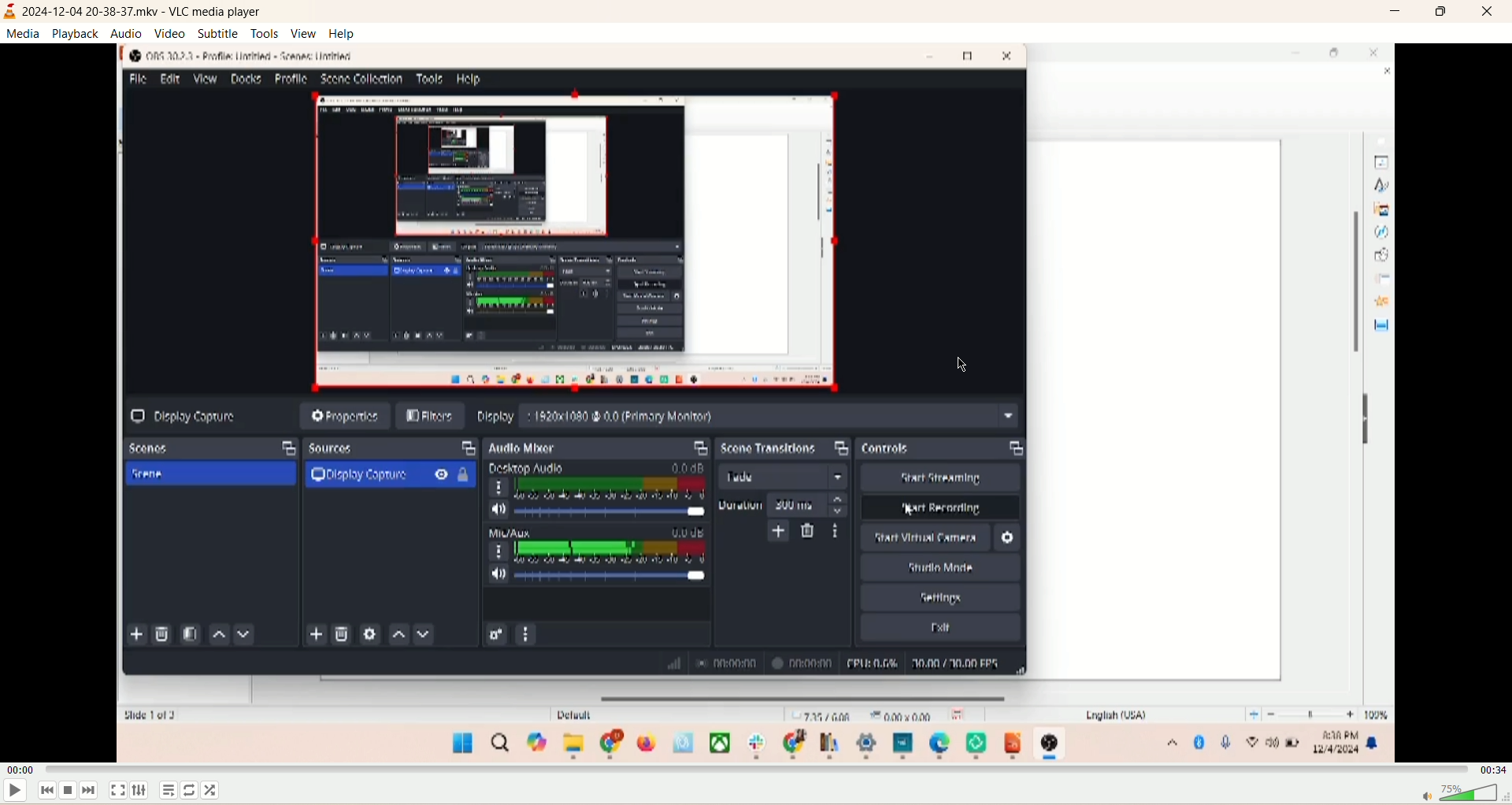  I want to click on loop, so click(191, 793).